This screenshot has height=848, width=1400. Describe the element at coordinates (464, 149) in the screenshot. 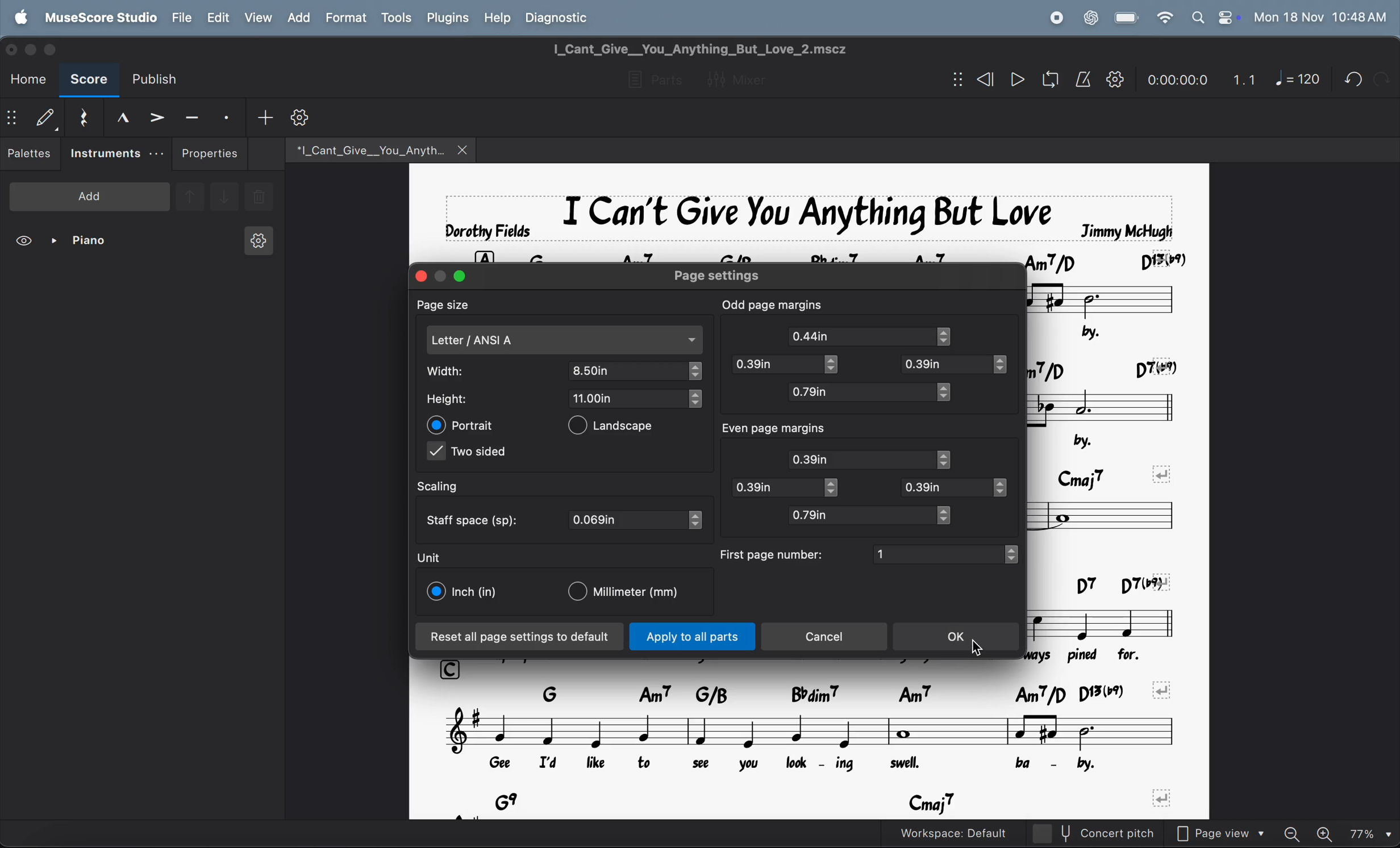

I see `close` at that location.